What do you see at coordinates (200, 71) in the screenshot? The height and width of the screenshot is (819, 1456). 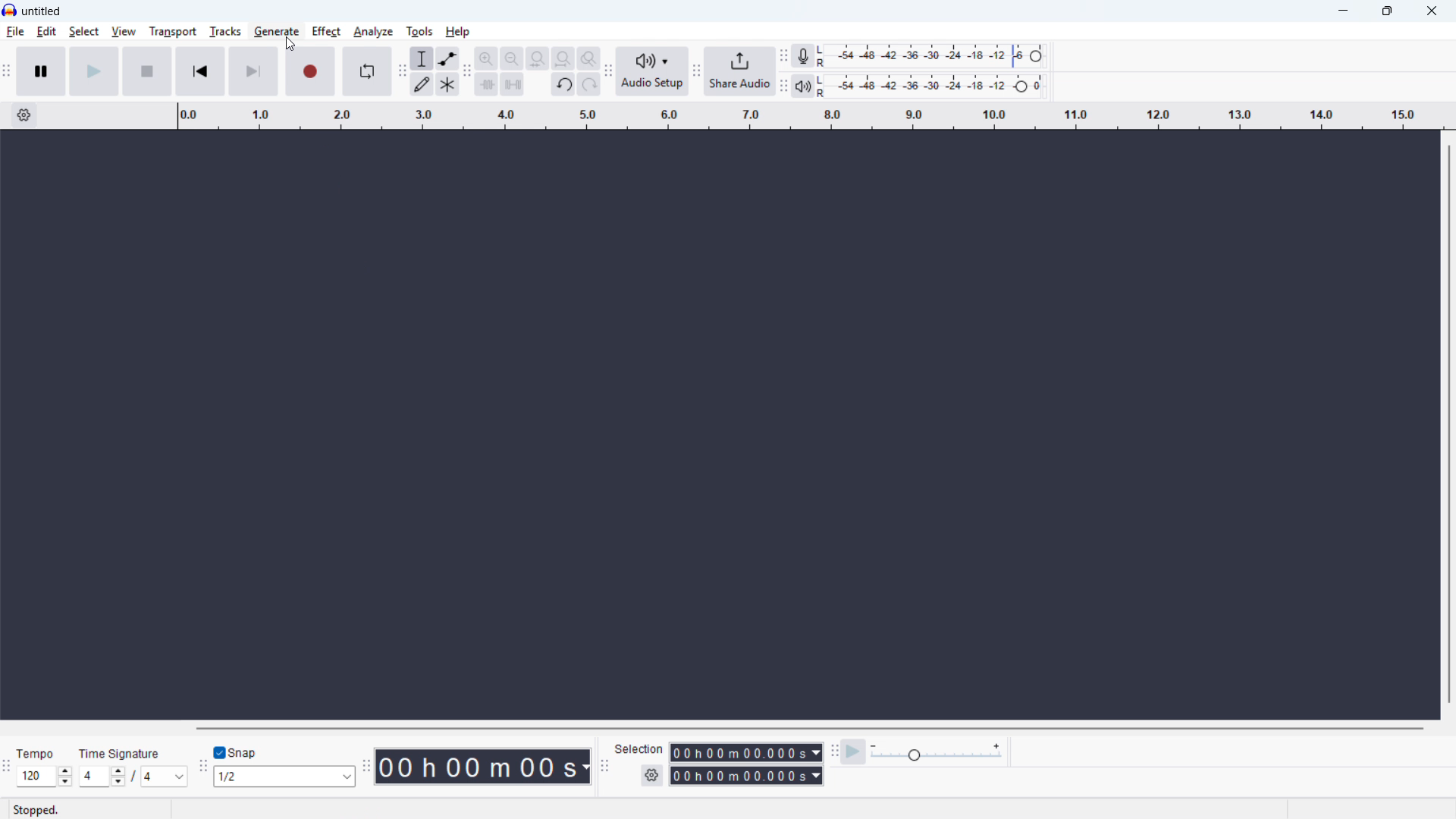 I see `Skip to start ` at bounding box center [200, 71].